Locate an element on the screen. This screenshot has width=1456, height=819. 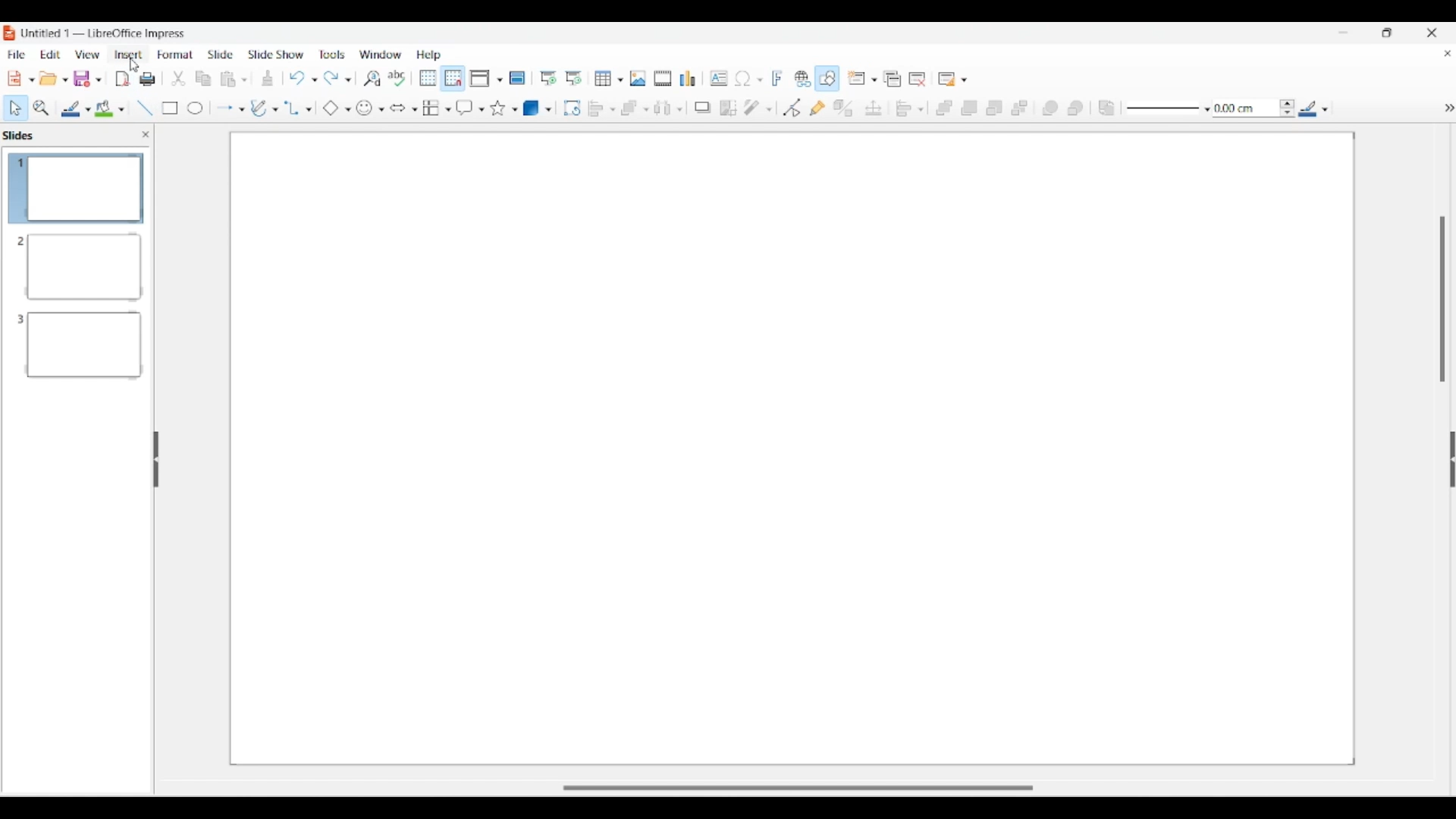
Insert textbox is located at coordinates (719, 78).